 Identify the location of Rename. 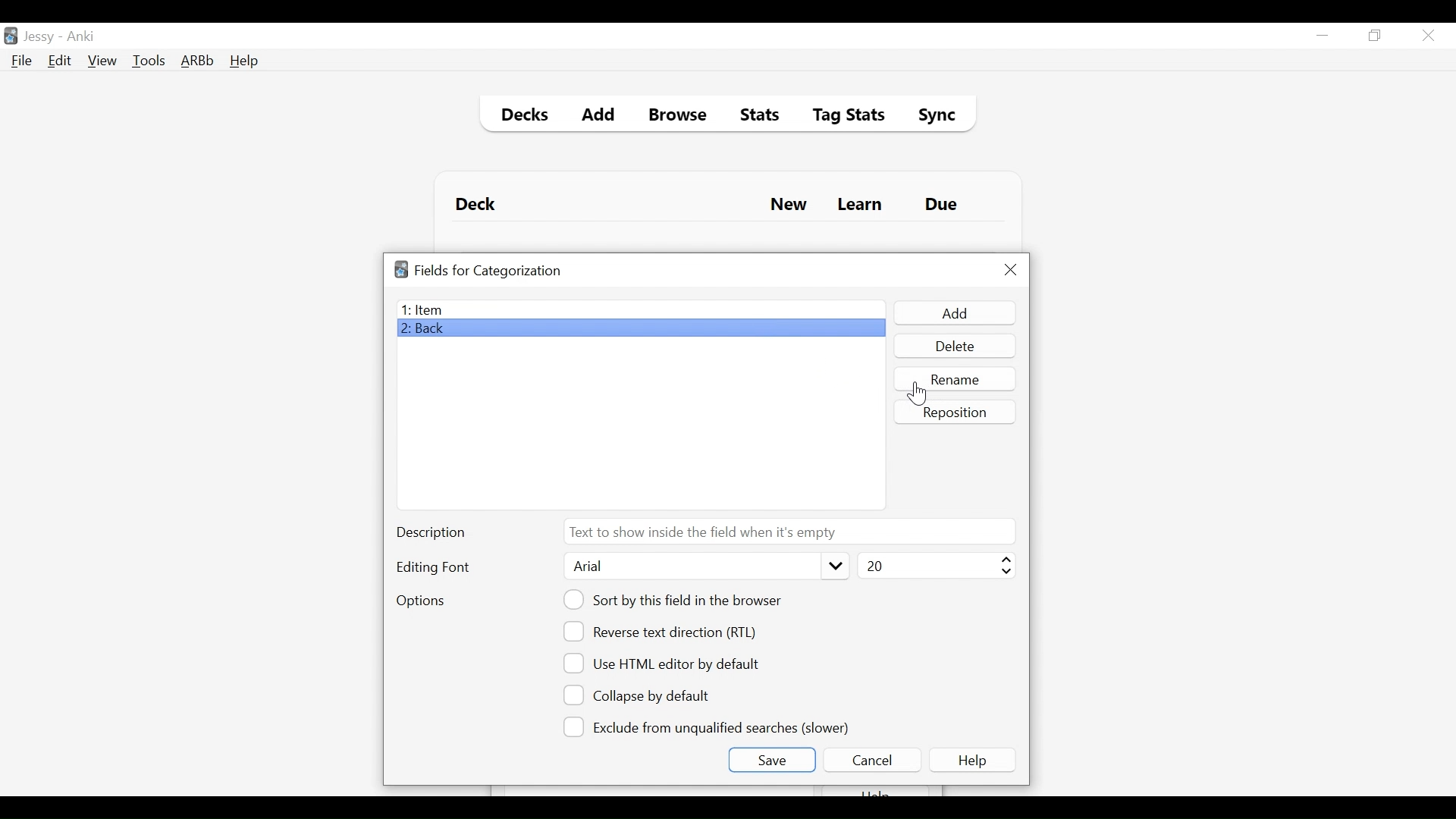
(956, 378).